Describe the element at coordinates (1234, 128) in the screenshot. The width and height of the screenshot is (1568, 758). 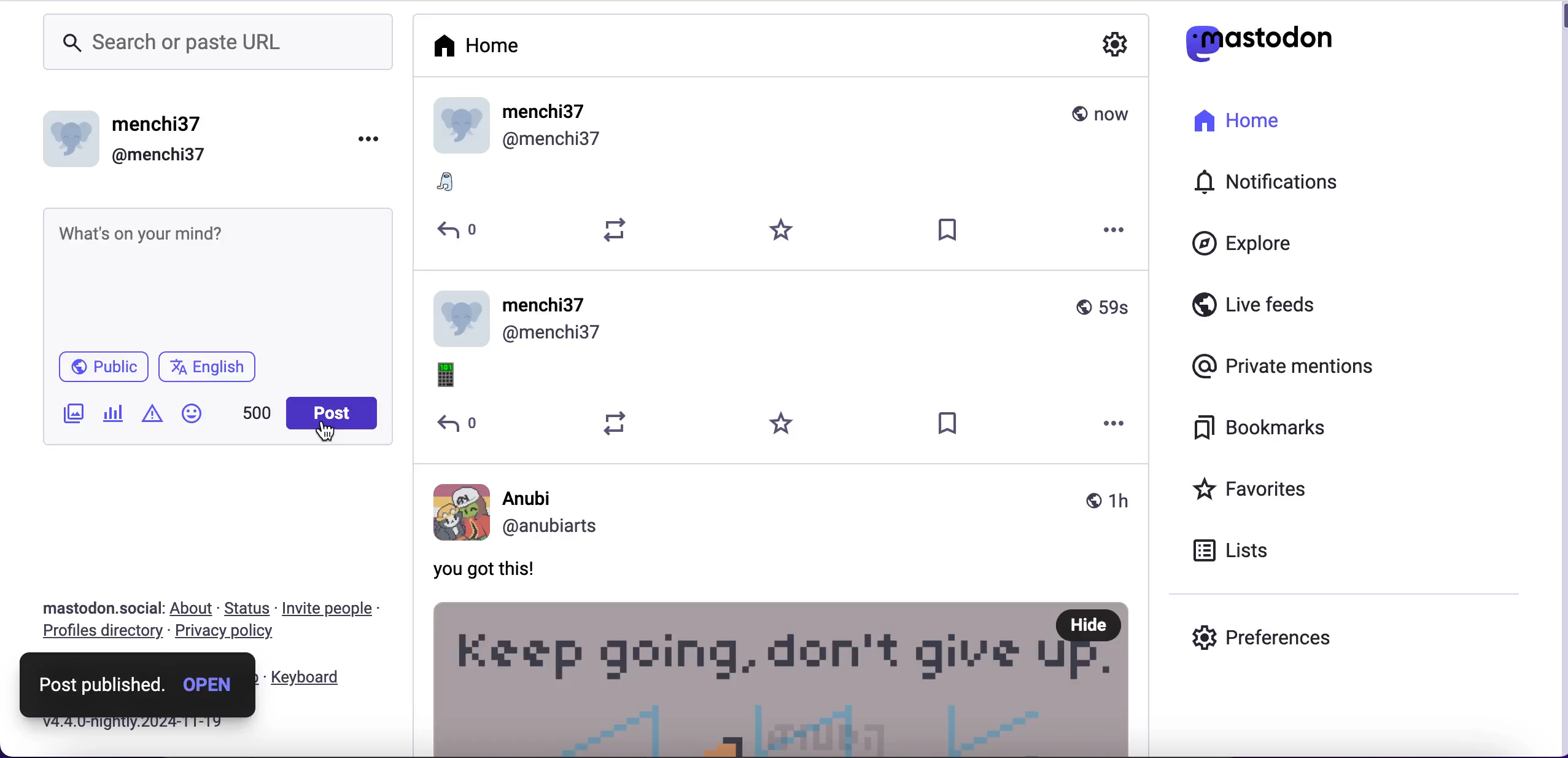
I see `home` at that location.